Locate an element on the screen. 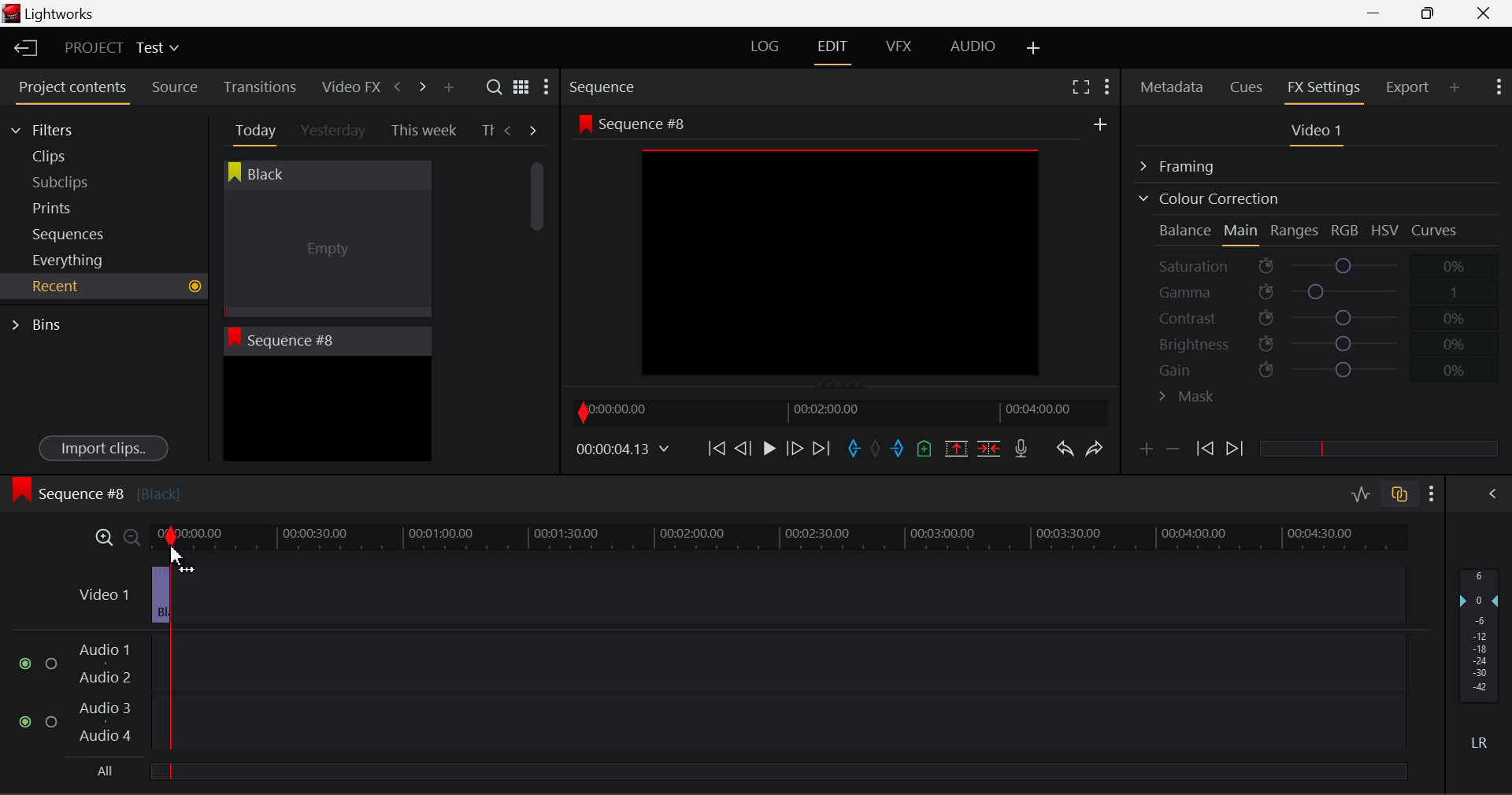  Delete/Cut is located at coordinates (989, 448).